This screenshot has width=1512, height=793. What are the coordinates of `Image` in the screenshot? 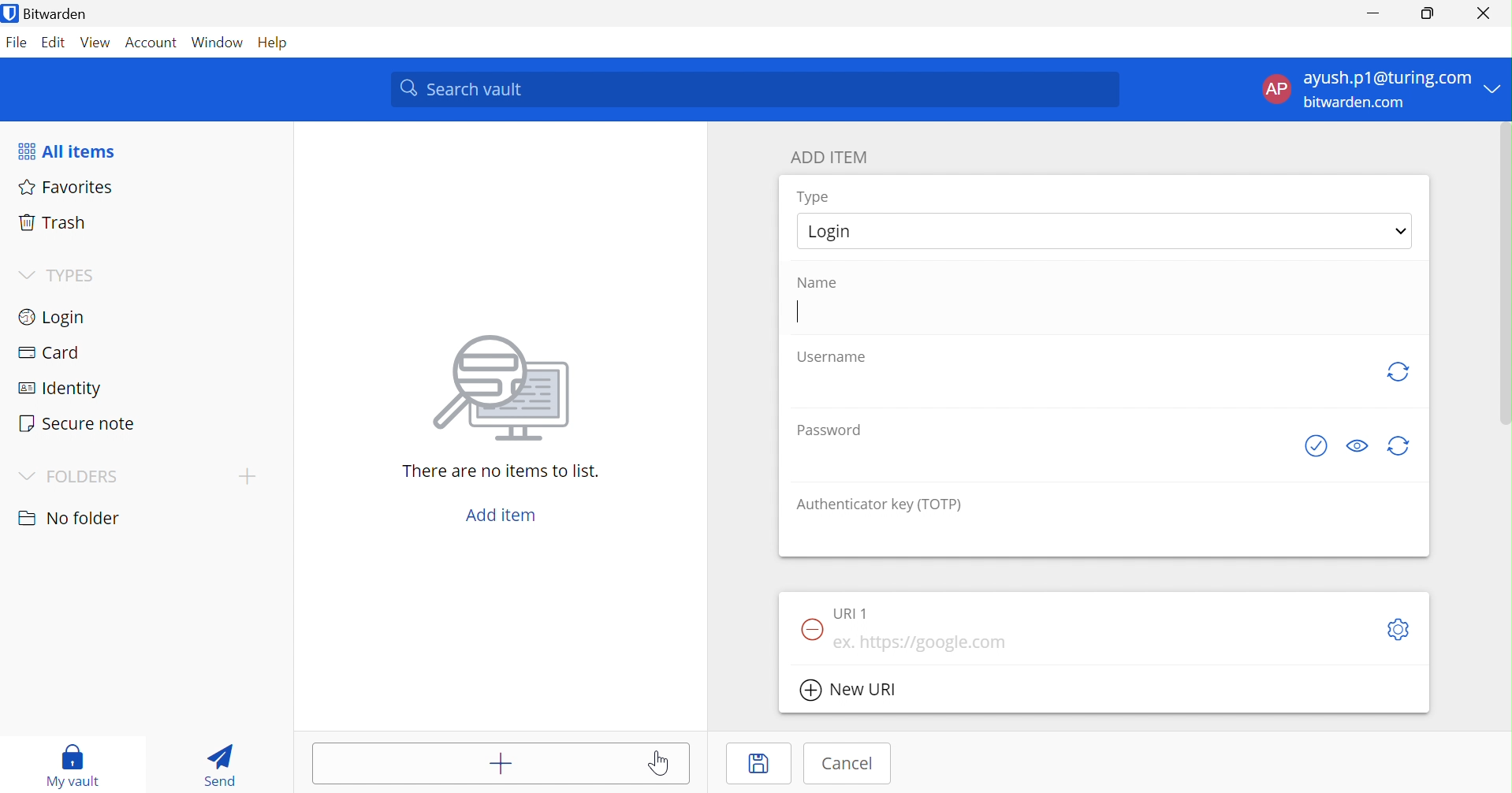 It's located at (505, 390).